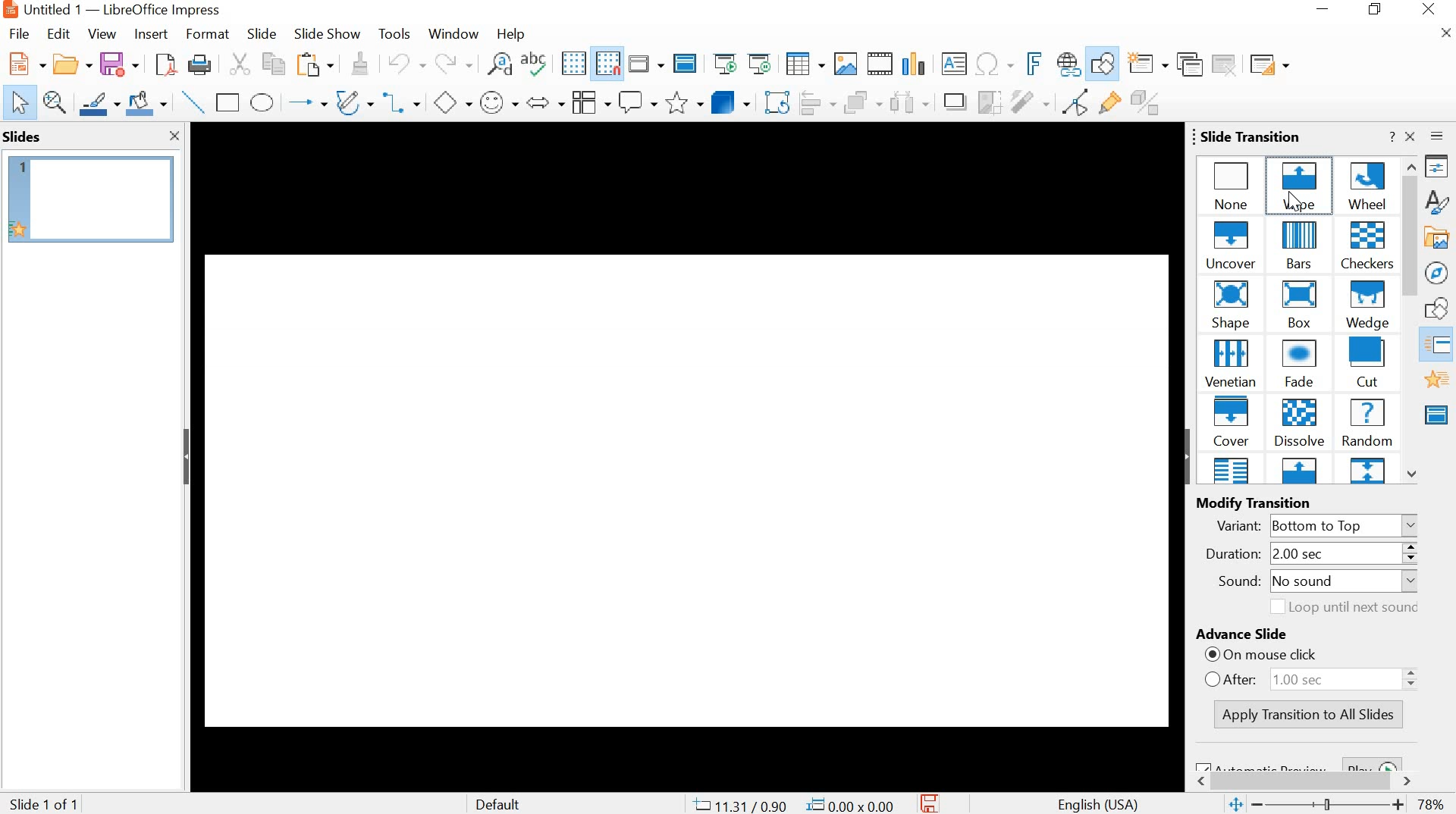 This screenshot has width=1456, height=814. I want to click on BOX, so click(1297, 306).